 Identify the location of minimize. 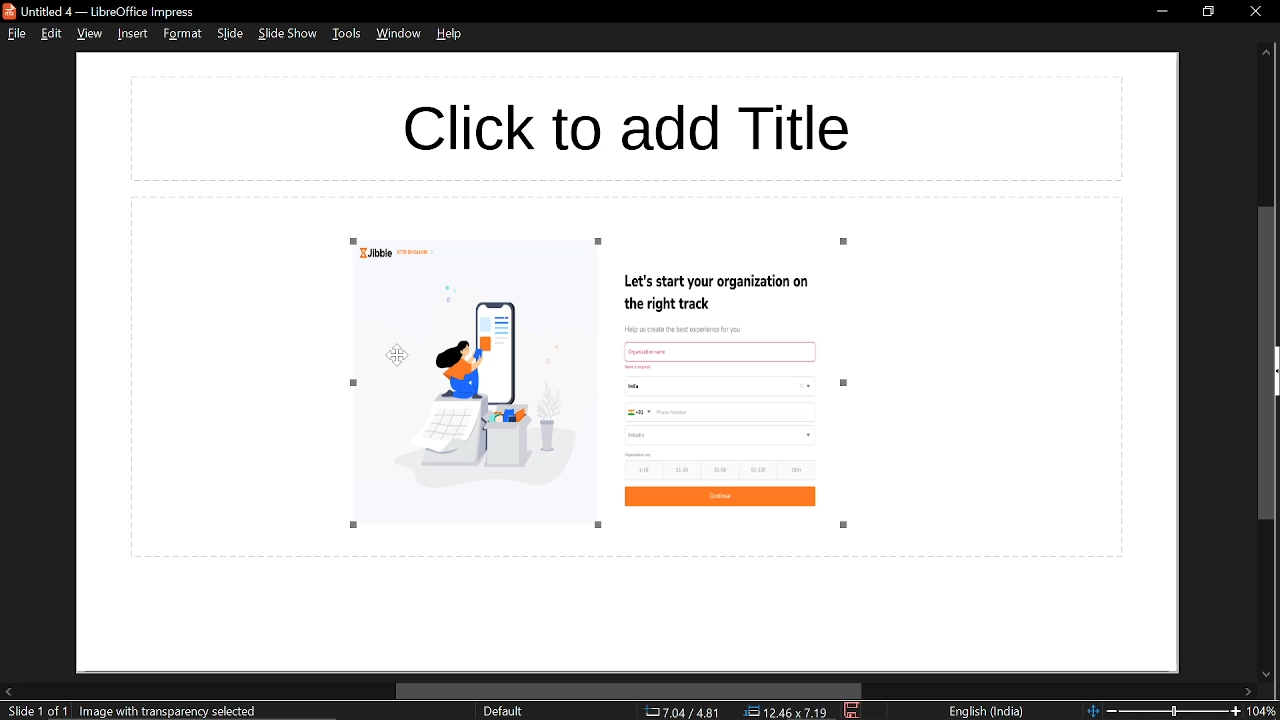
(1162, 11).